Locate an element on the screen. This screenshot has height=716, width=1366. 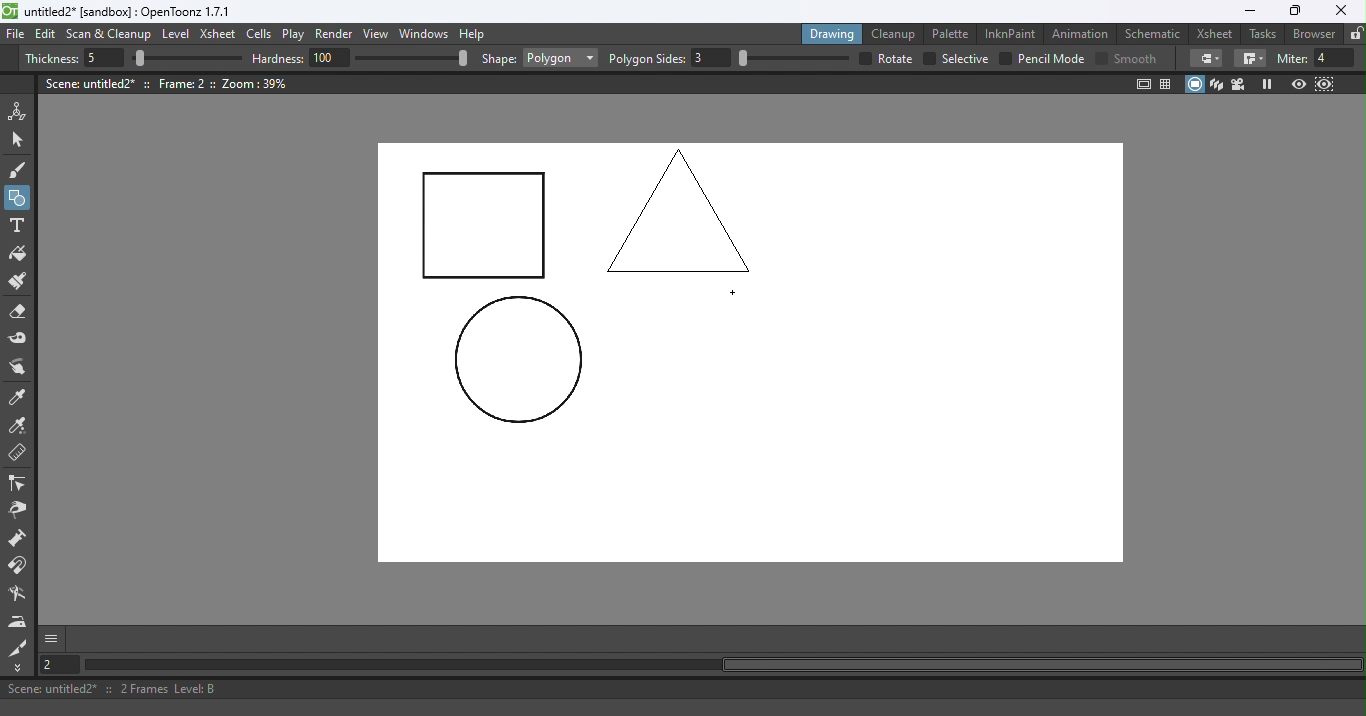
shape is located at coordinates (499, 60).